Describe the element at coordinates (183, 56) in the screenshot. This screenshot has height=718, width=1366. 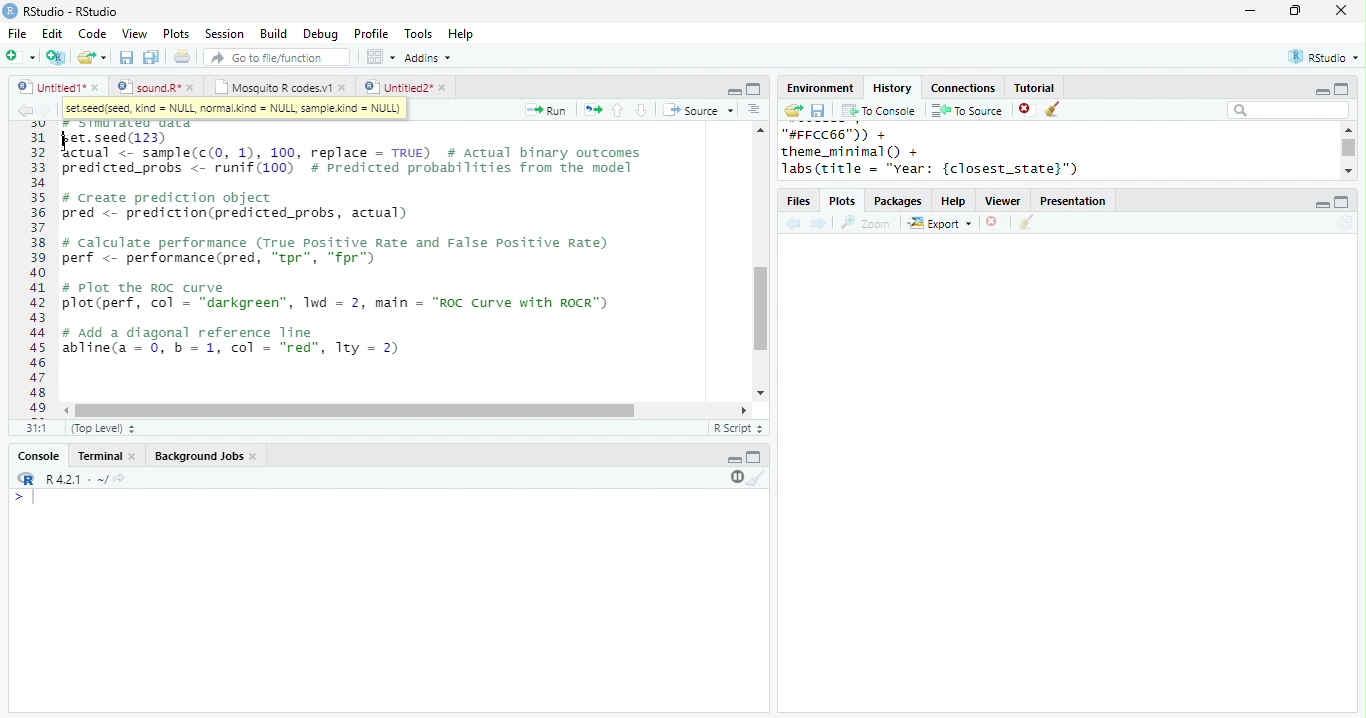
I see `print` at that location.